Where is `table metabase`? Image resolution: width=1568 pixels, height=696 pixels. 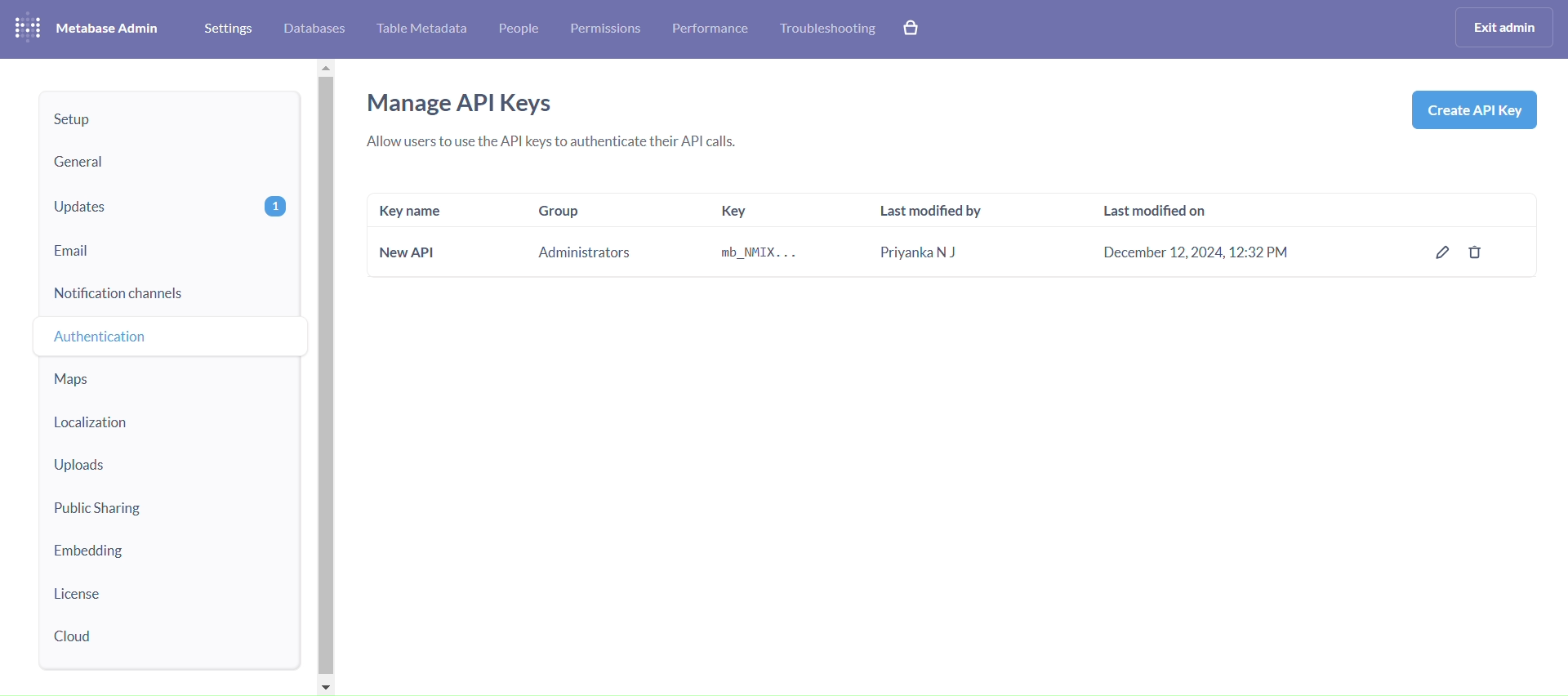 table metabase is located at coordinates (421, 29).